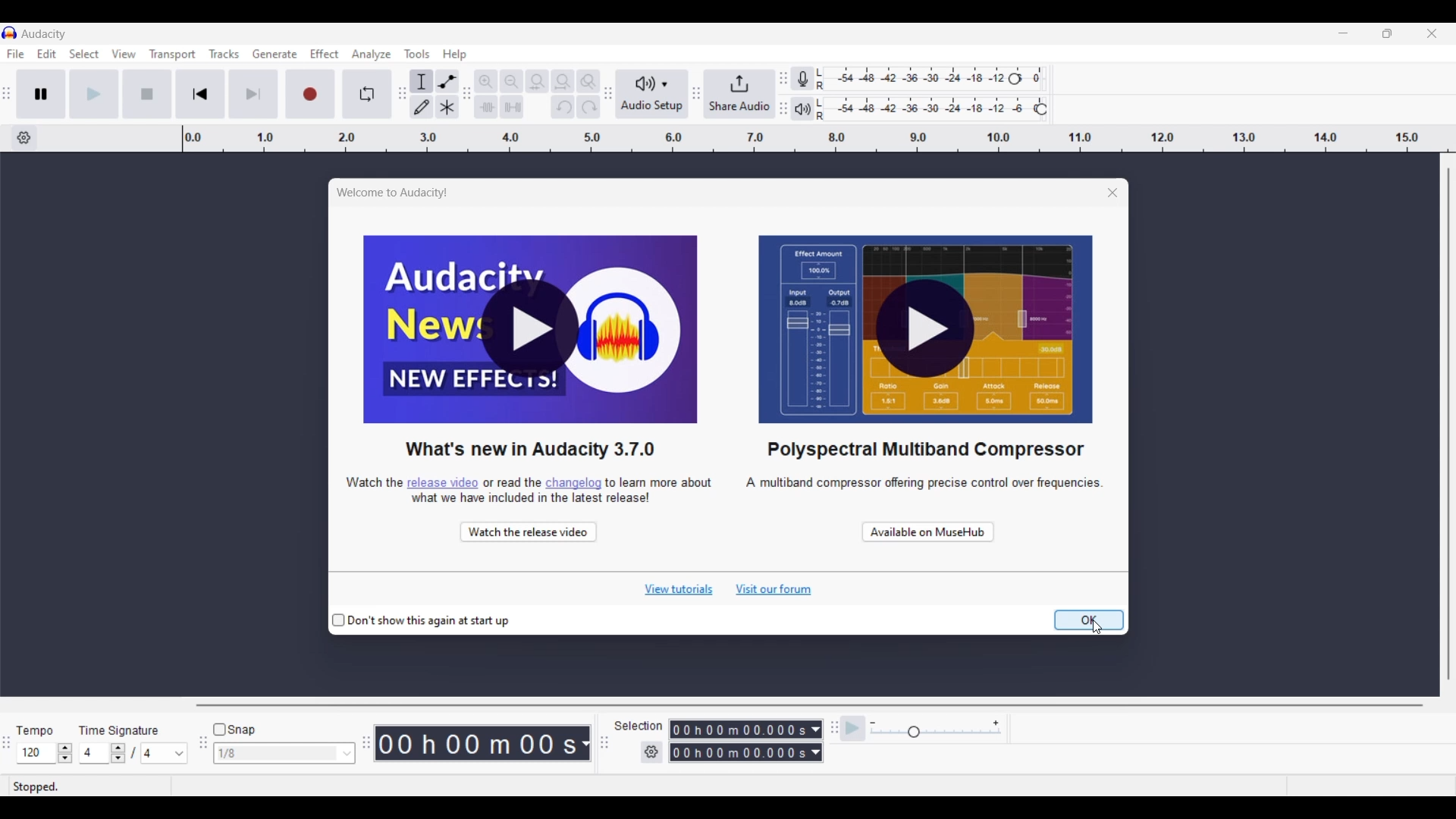 The width and height of the screenshot is (1456, 819). I want to click on Trim audio outside selection, so click(485, 107).